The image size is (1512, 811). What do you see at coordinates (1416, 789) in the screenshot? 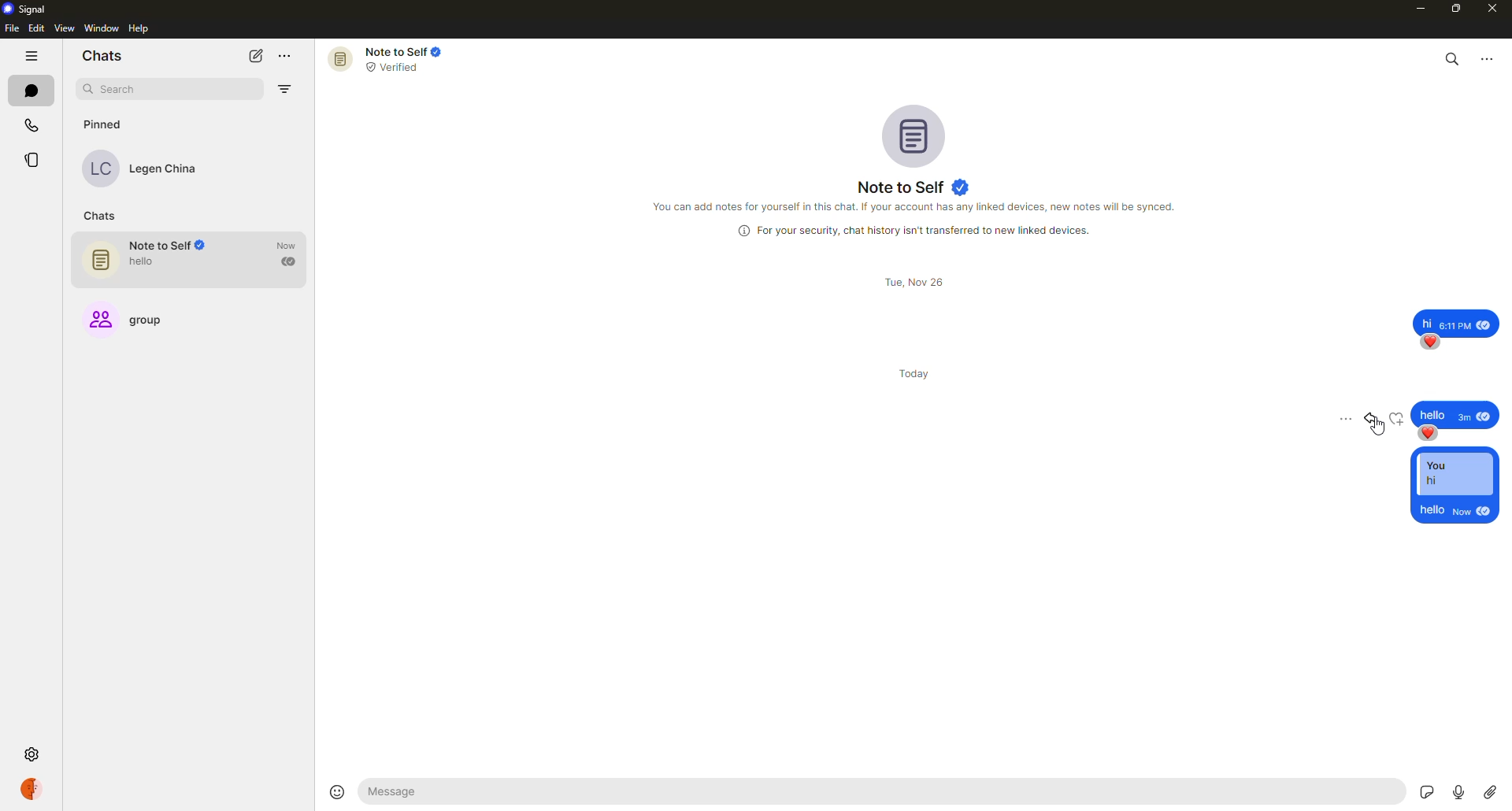
I see `stickers` at bounding box center [1416, 789].